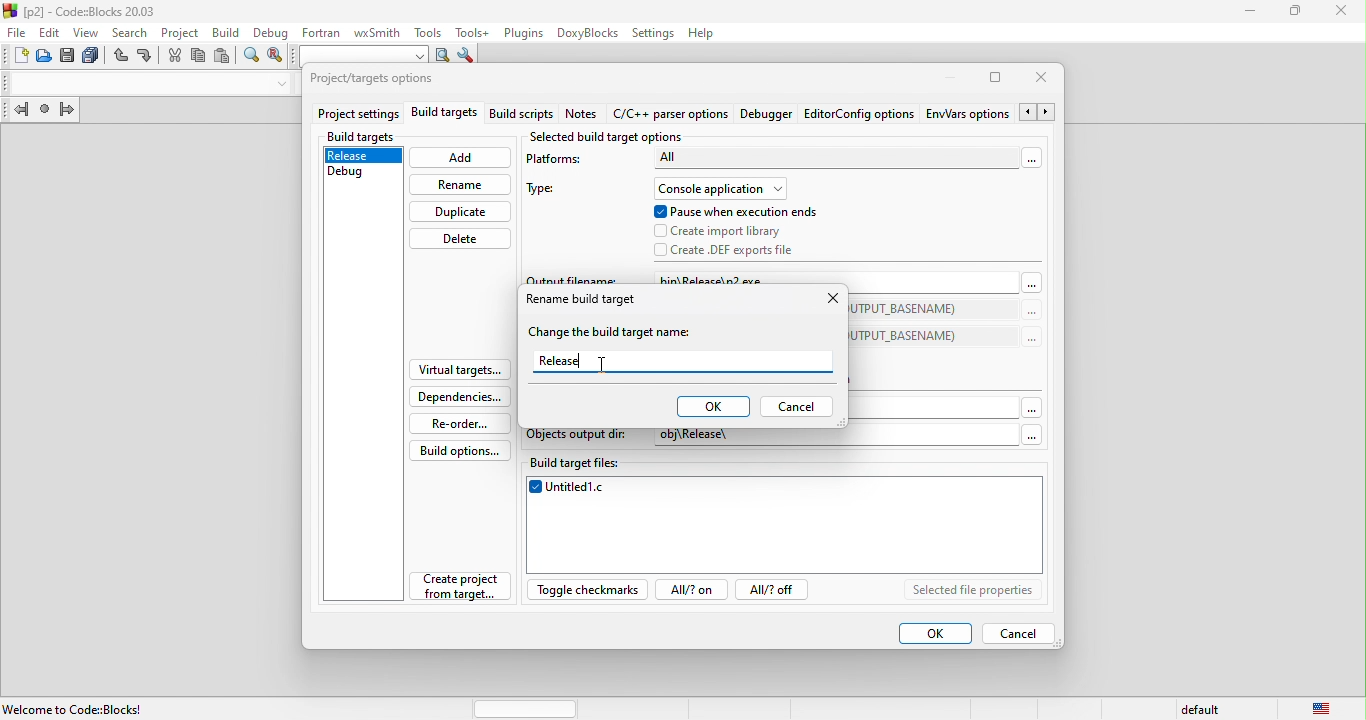 This screenshot has height=720, width=1366. Describe the element at coordinates (1296, 12) in the screenshot. I see `maximize` at that location.